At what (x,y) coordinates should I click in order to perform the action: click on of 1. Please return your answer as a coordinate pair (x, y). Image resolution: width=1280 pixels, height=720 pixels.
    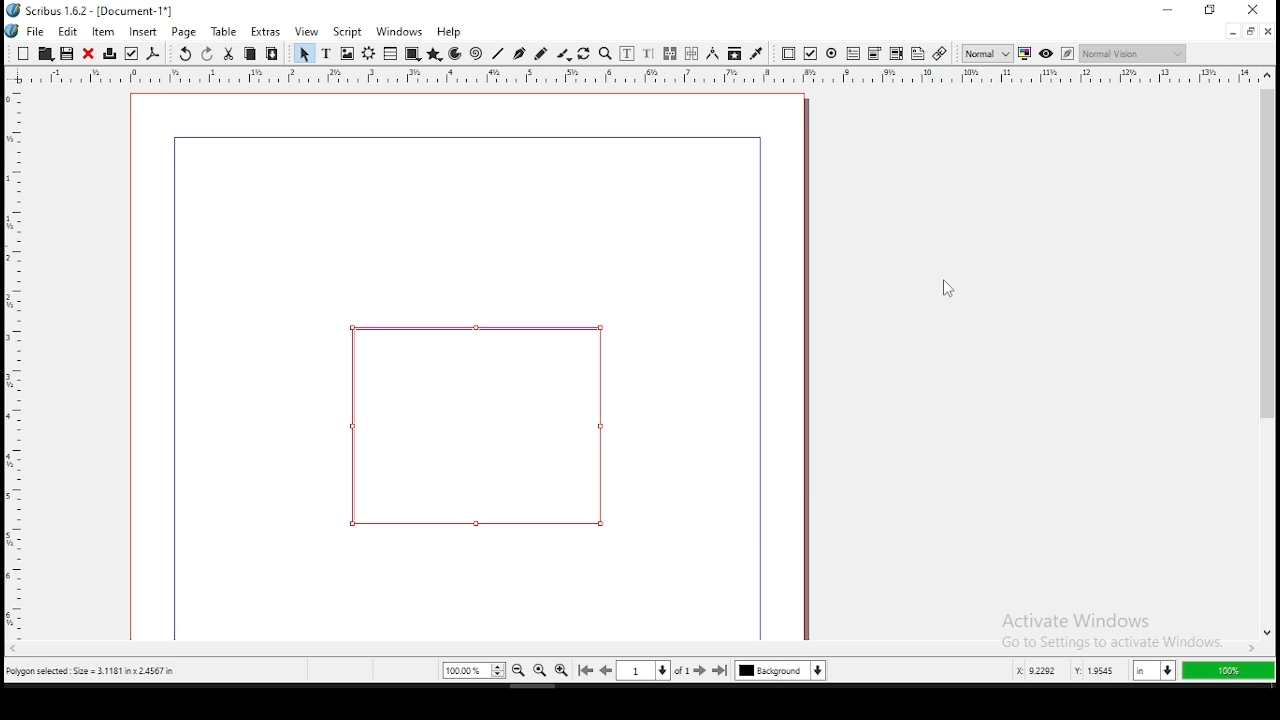
    Looking at the image, I should click on (681, 671).